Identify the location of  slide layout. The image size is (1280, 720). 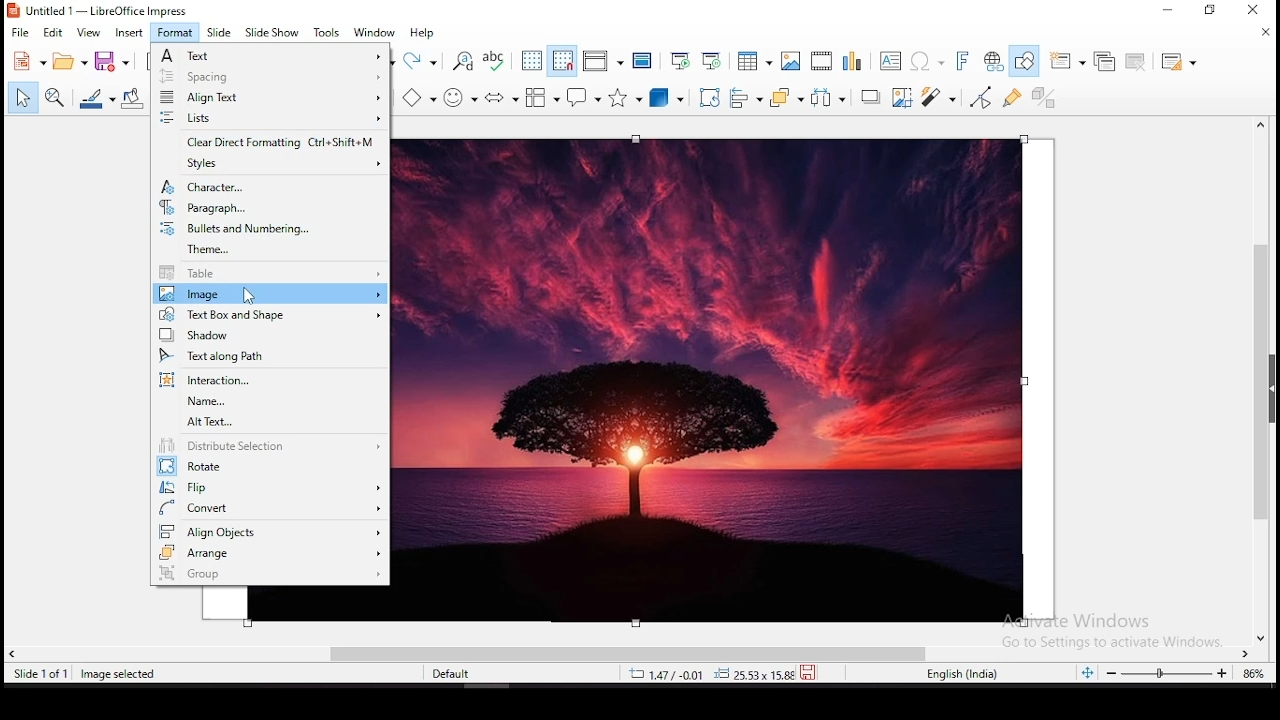
(1178, 62).